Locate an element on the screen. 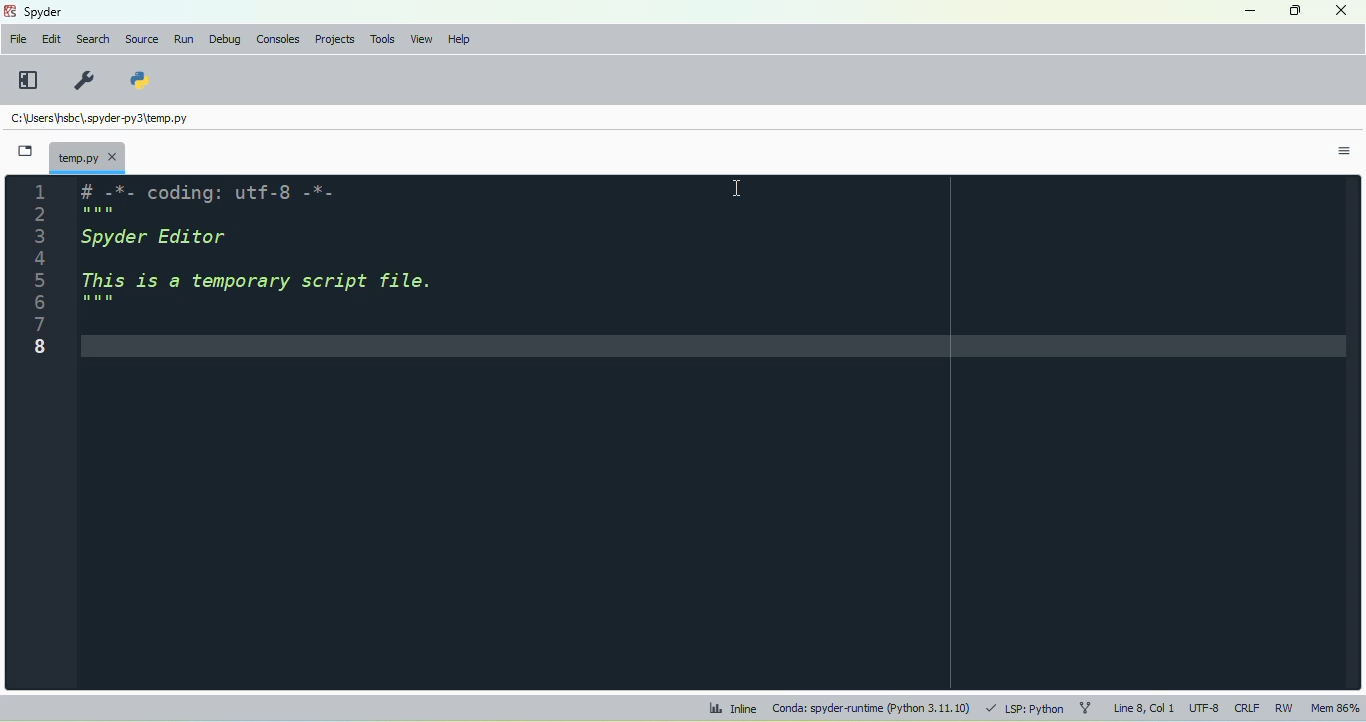 This screenshot has width=1366, height=722. temporary file is located at coordinates (99, 120).